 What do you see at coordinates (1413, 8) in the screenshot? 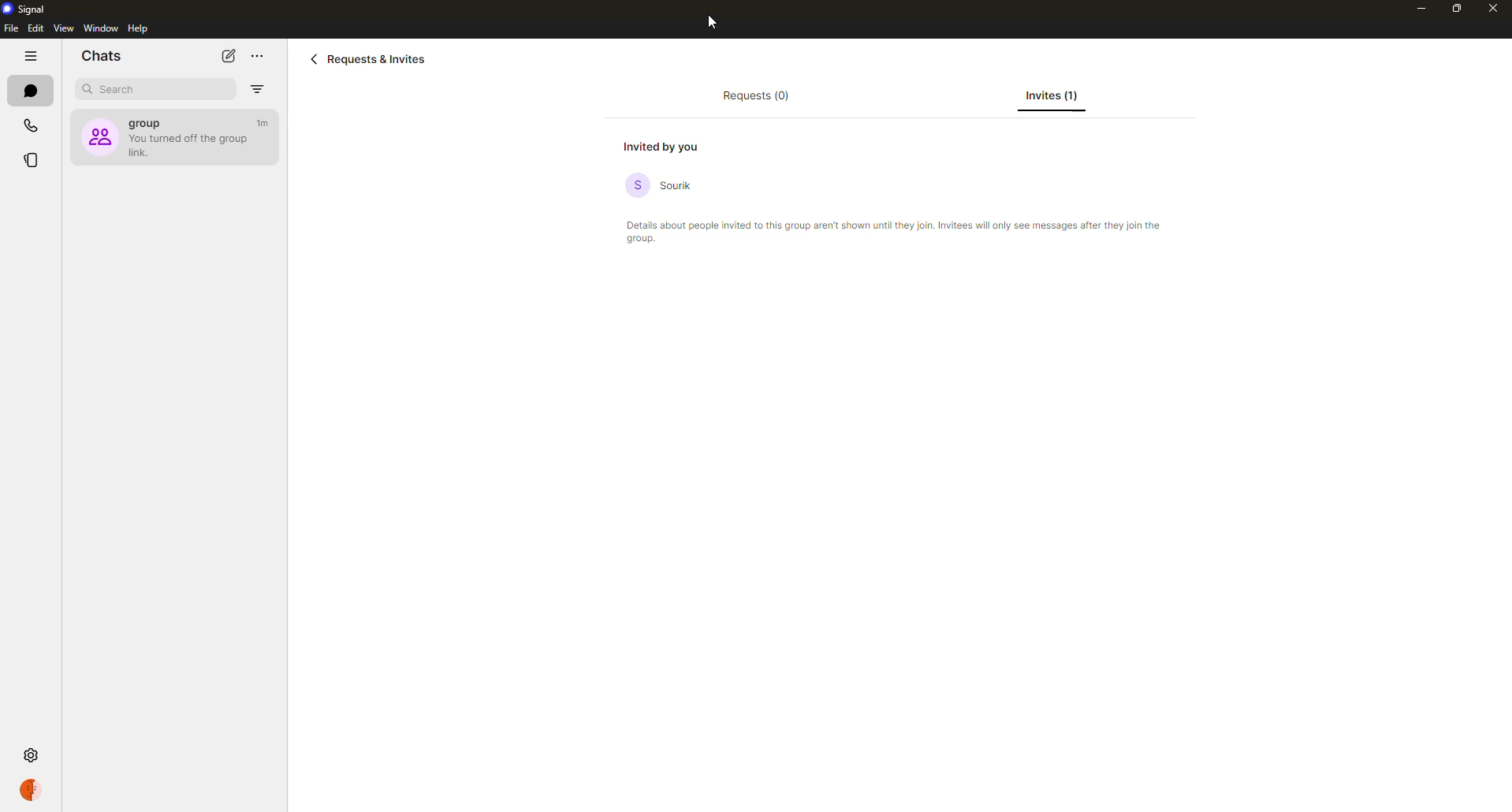
I see `minimize` at bounding box center [1413, 8].